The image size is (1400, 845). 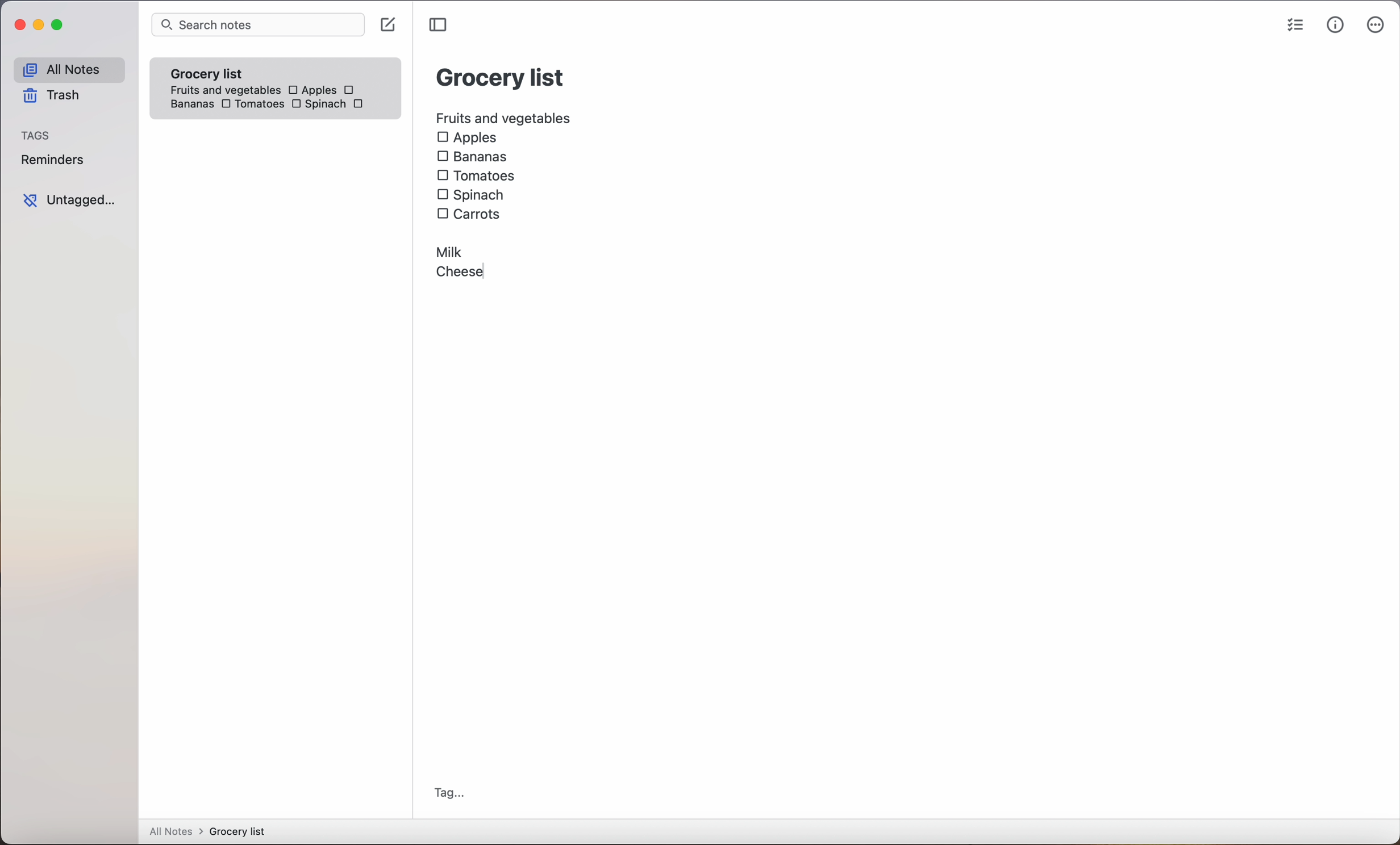 What do you see at coordinates (1376, 27) in the screenshot?
I see `more options` at bounding box center [1376, 27].